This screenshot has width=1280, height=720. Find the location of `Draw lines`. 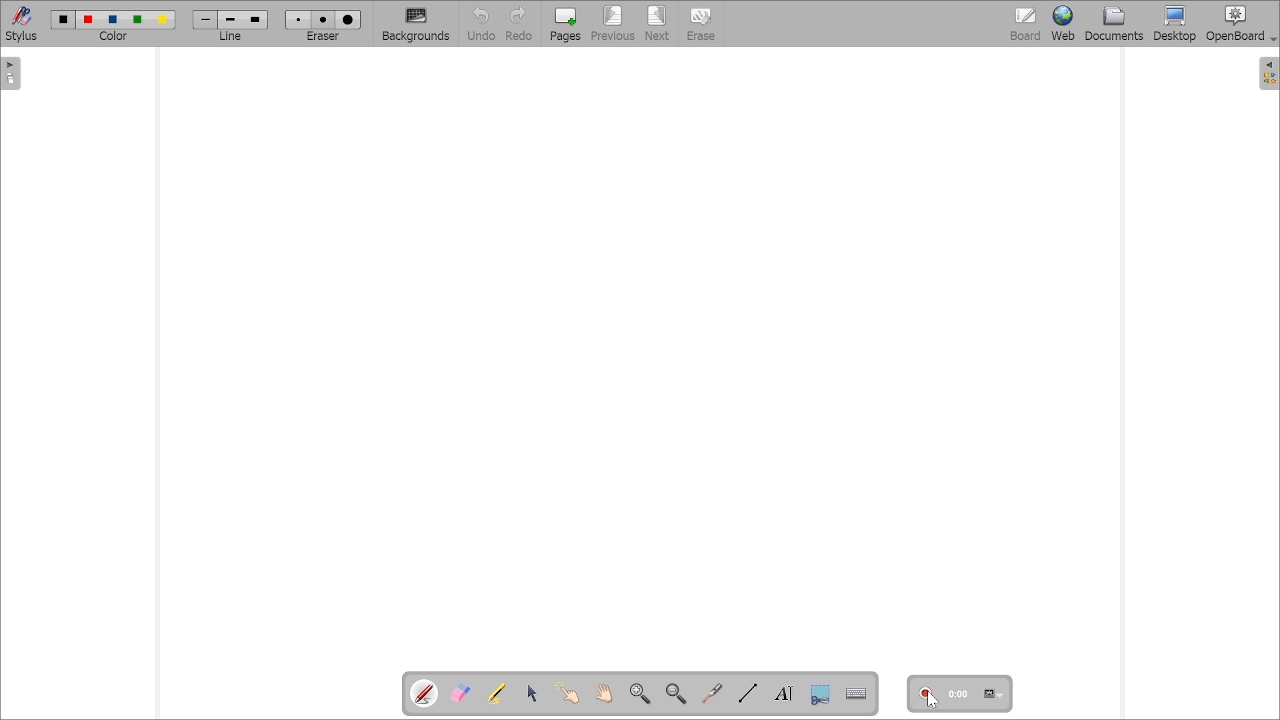

Draw lines is located at coordinates (747, 691).